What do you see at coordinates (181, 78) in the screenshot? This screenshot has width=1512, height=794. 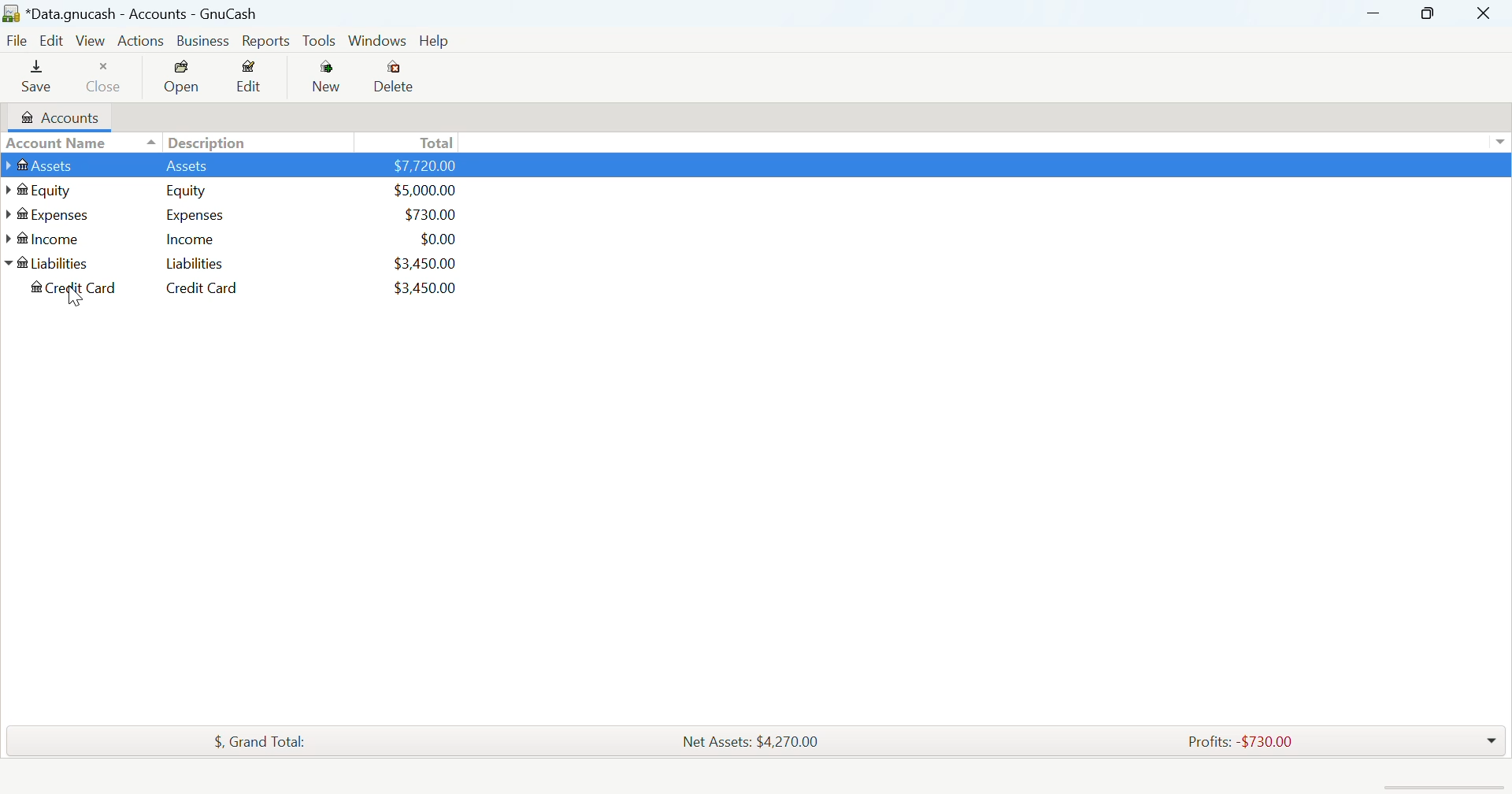 I see `Open` at bounding box center [181, 78].